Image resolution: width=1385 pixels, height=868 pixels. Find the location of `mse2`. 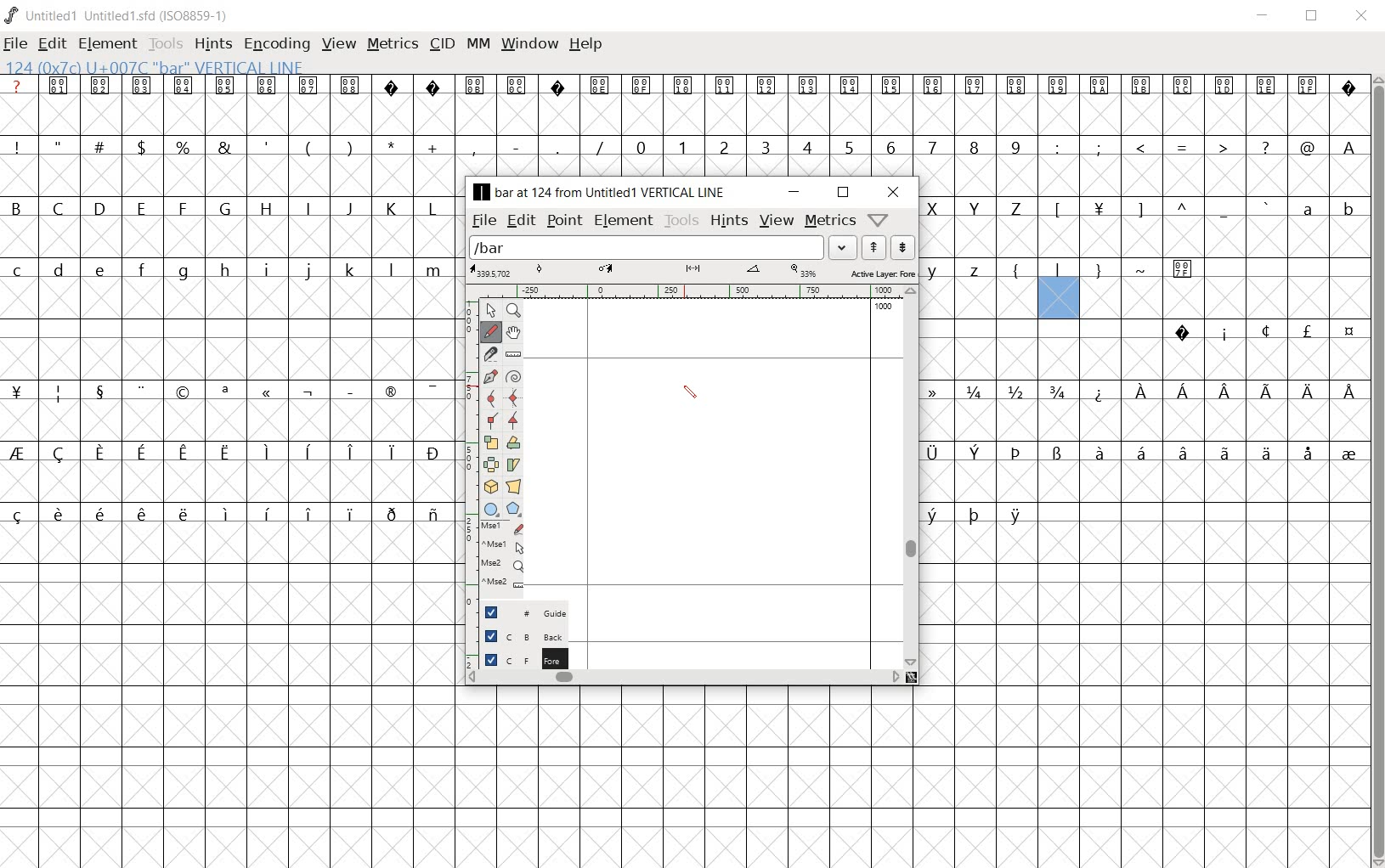

mse2 is located at coordinates (497, 586).